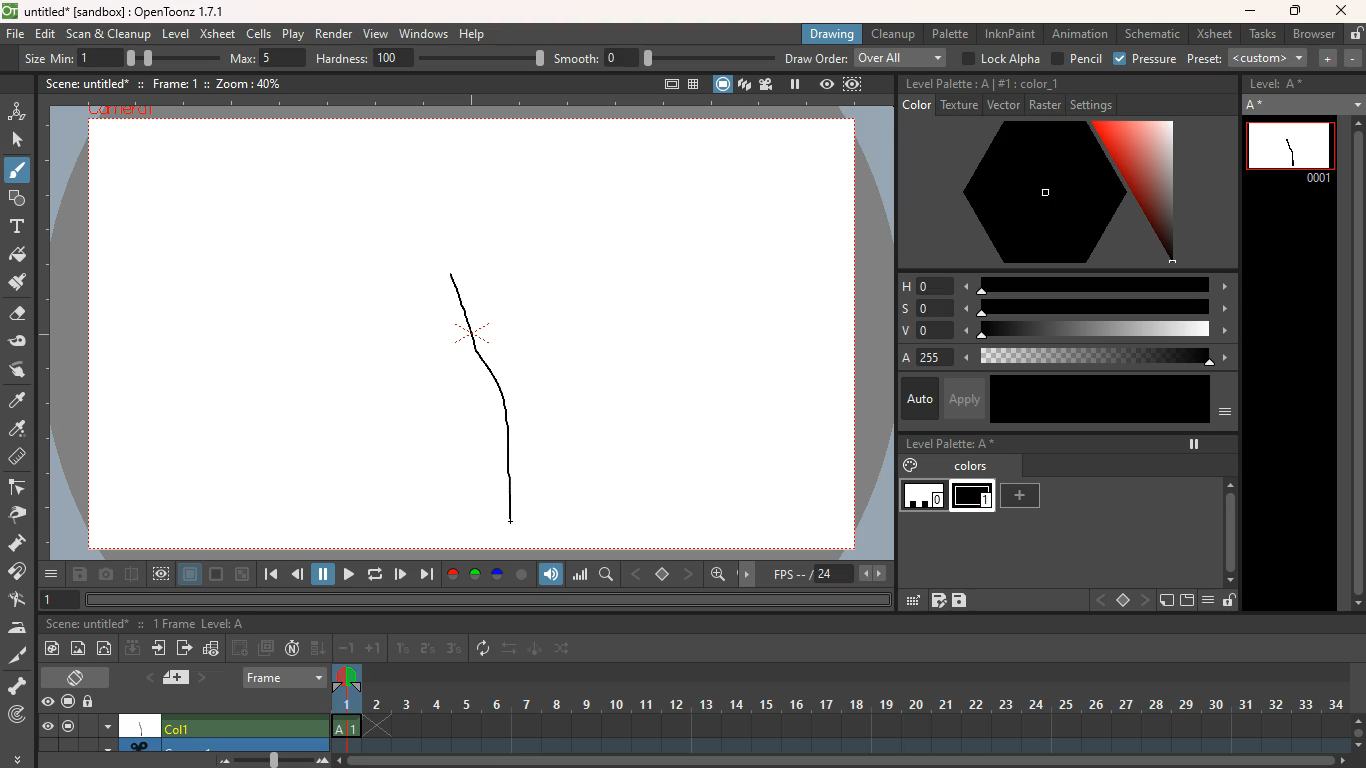  What do you see at coordinates (1187, 601) in the screenshot?
I see `screen` at bounding box center [1187, 601].